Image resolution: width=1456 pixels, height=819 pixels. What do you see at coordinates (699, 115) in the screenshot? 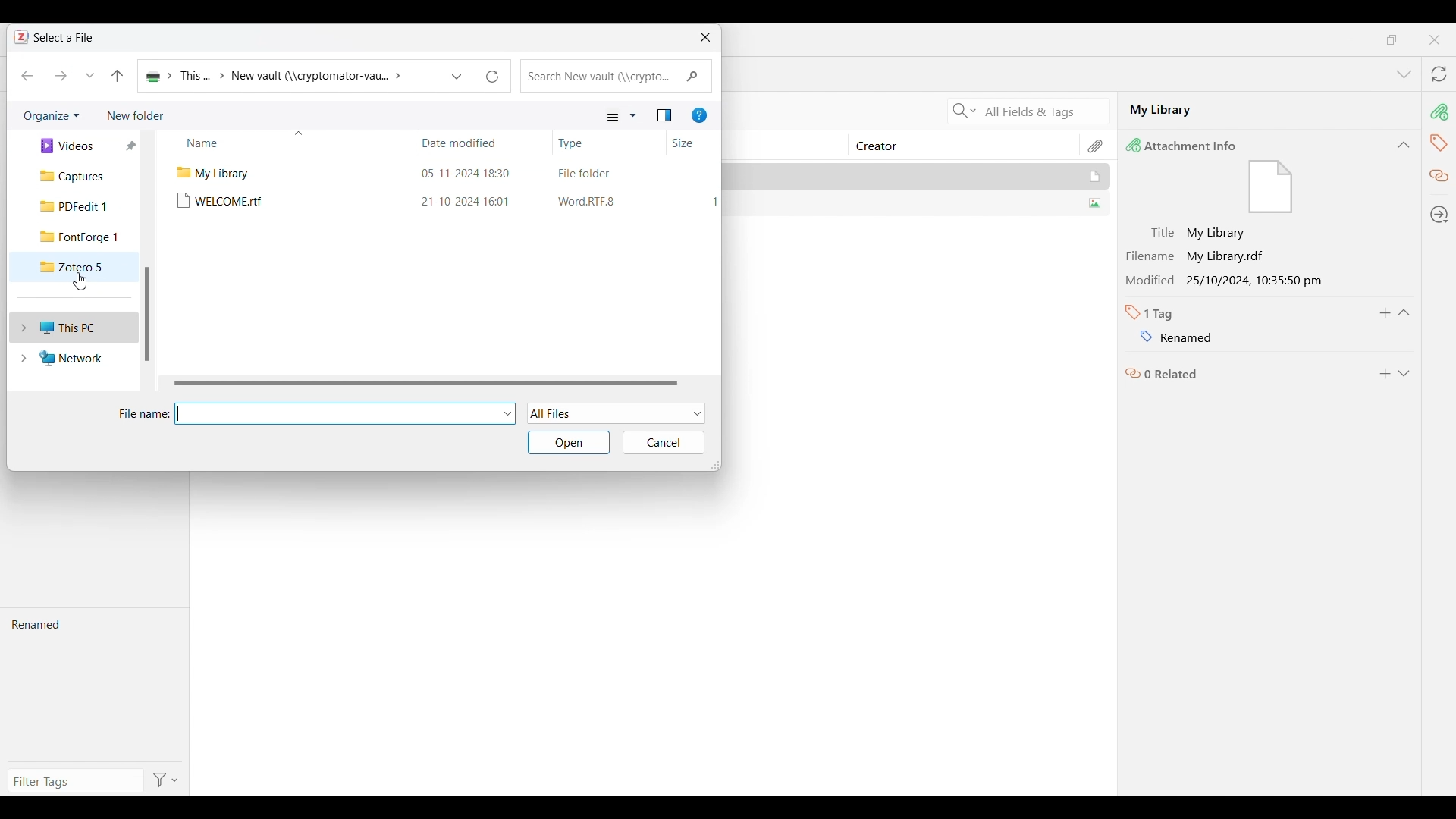
I see `Get help` at bounding box center [699, 115].